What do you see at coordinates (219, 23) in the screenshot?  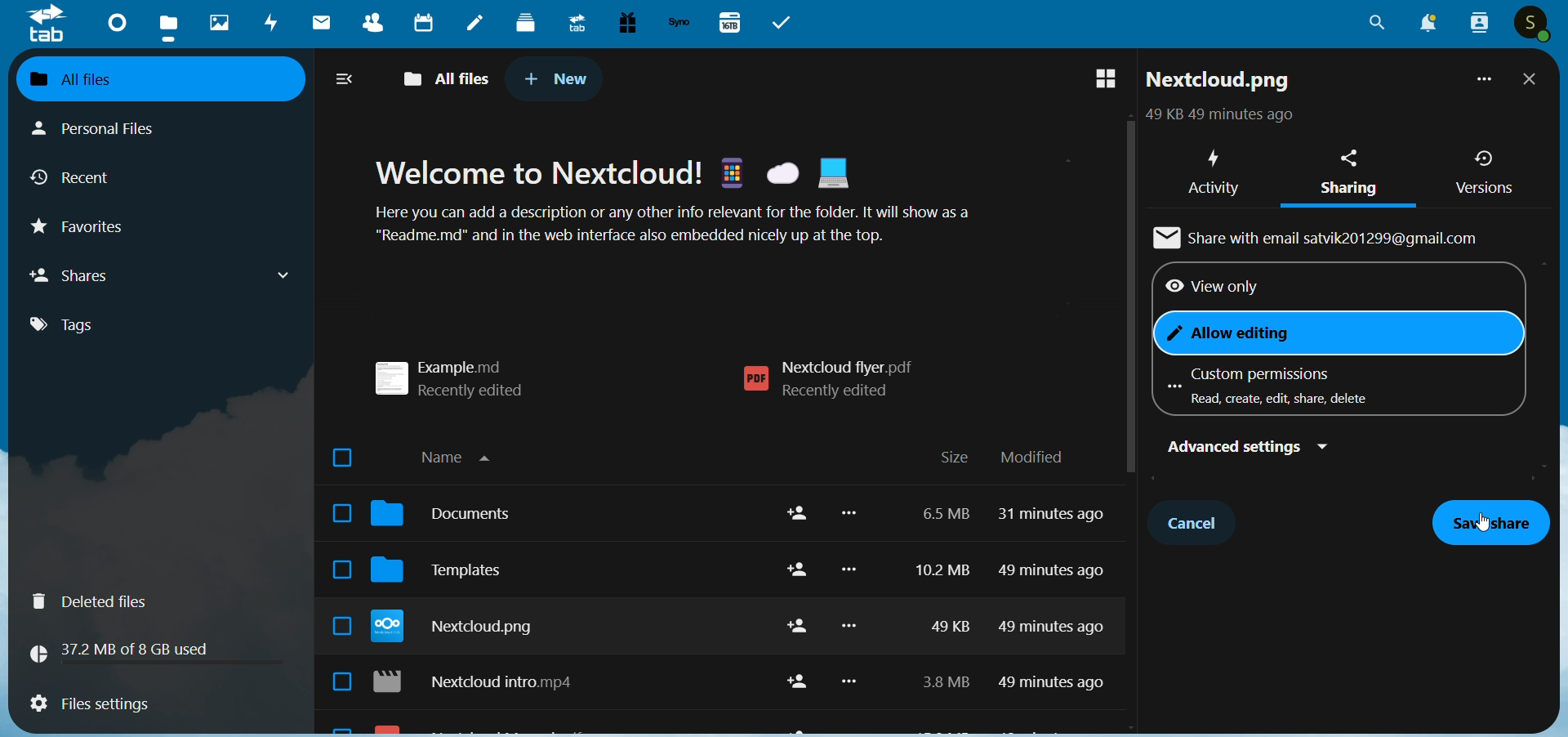 I see `photos` at bounding box center [219, 23].